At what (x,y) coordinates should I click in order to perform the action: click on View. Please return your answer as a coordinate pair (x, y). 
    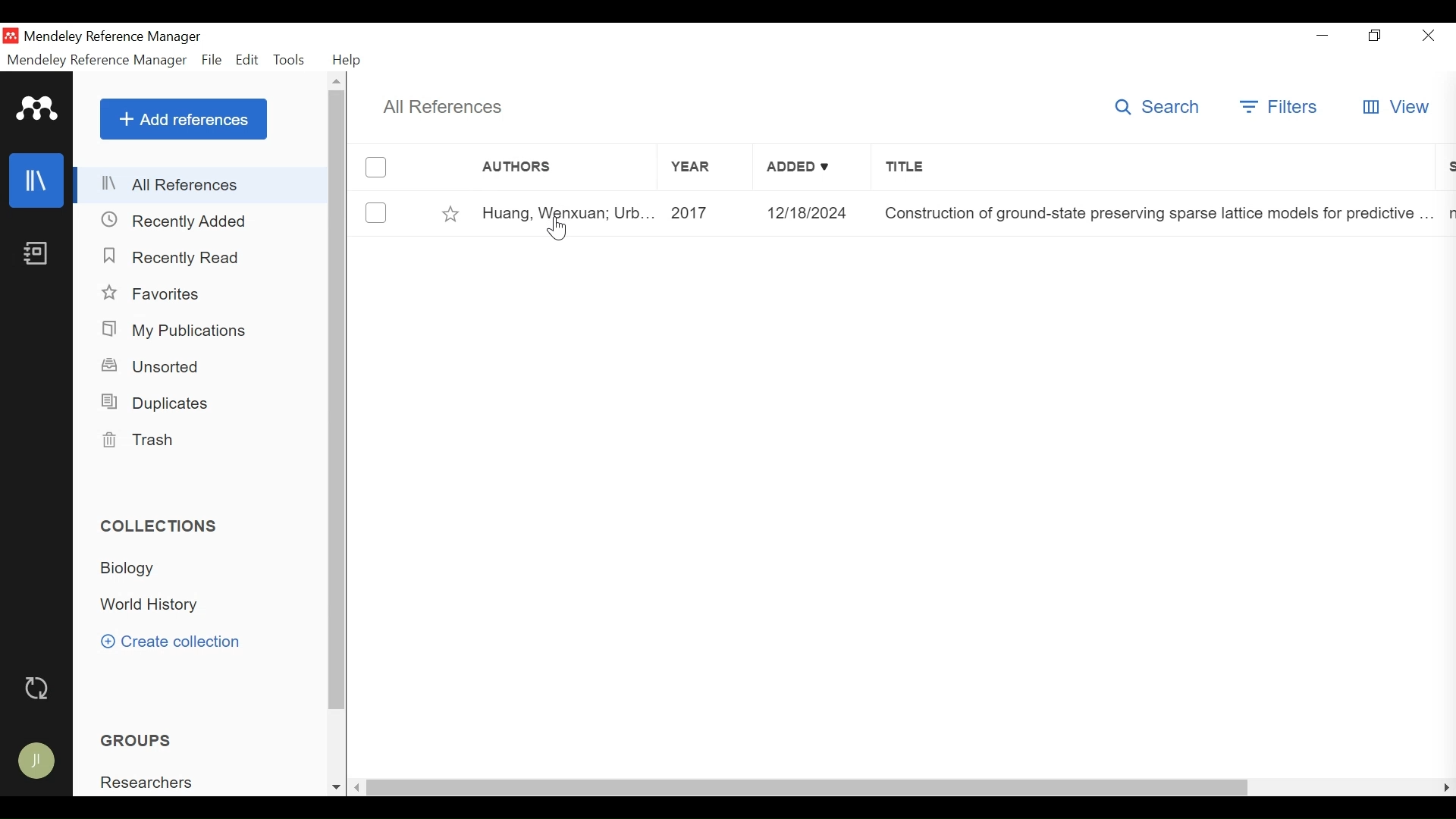
    Looking at the image, I should click on (1393, 106).